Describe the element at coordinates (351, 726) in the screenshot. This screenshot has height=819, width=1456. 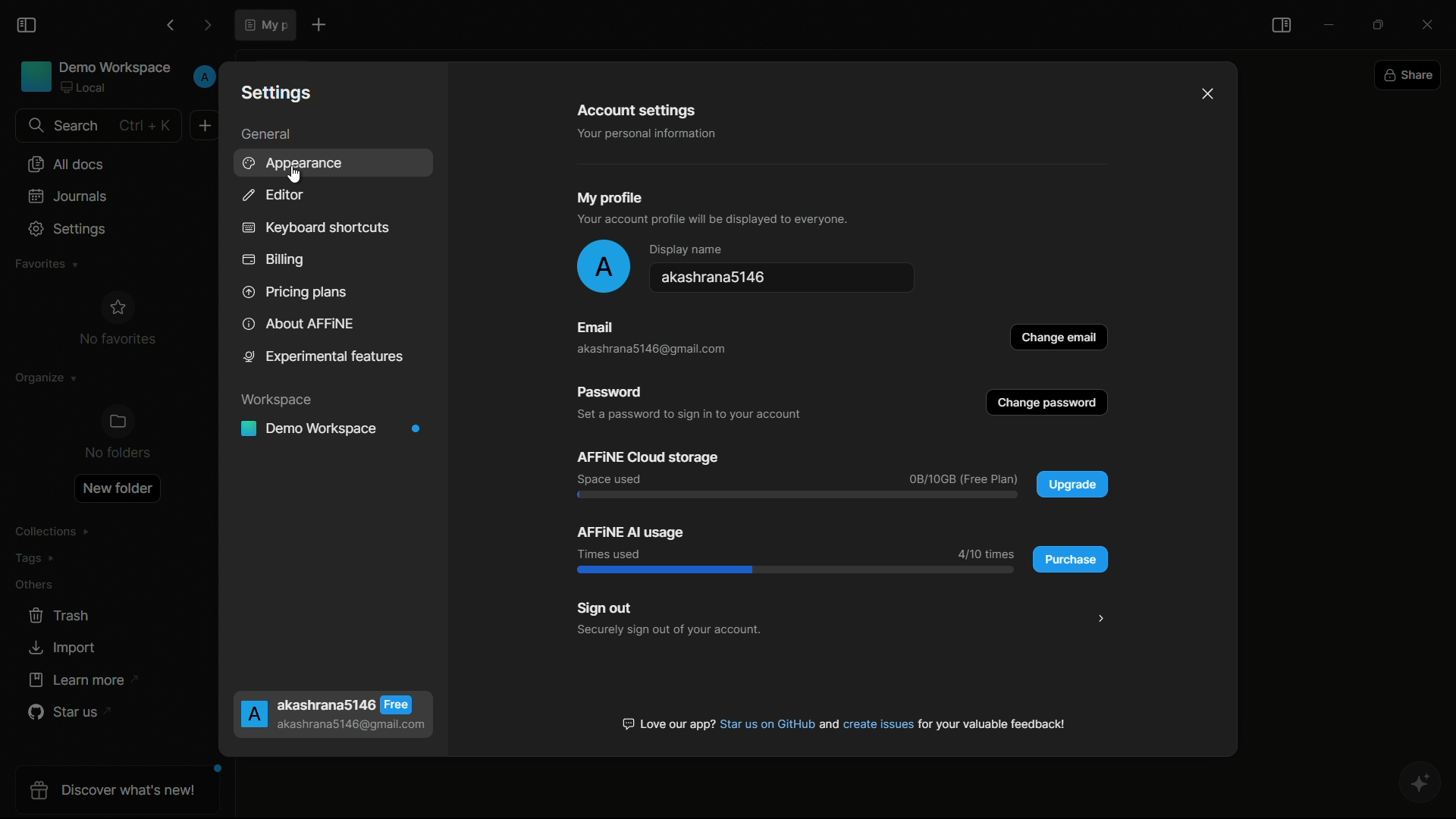
I see `profile email` at that location.